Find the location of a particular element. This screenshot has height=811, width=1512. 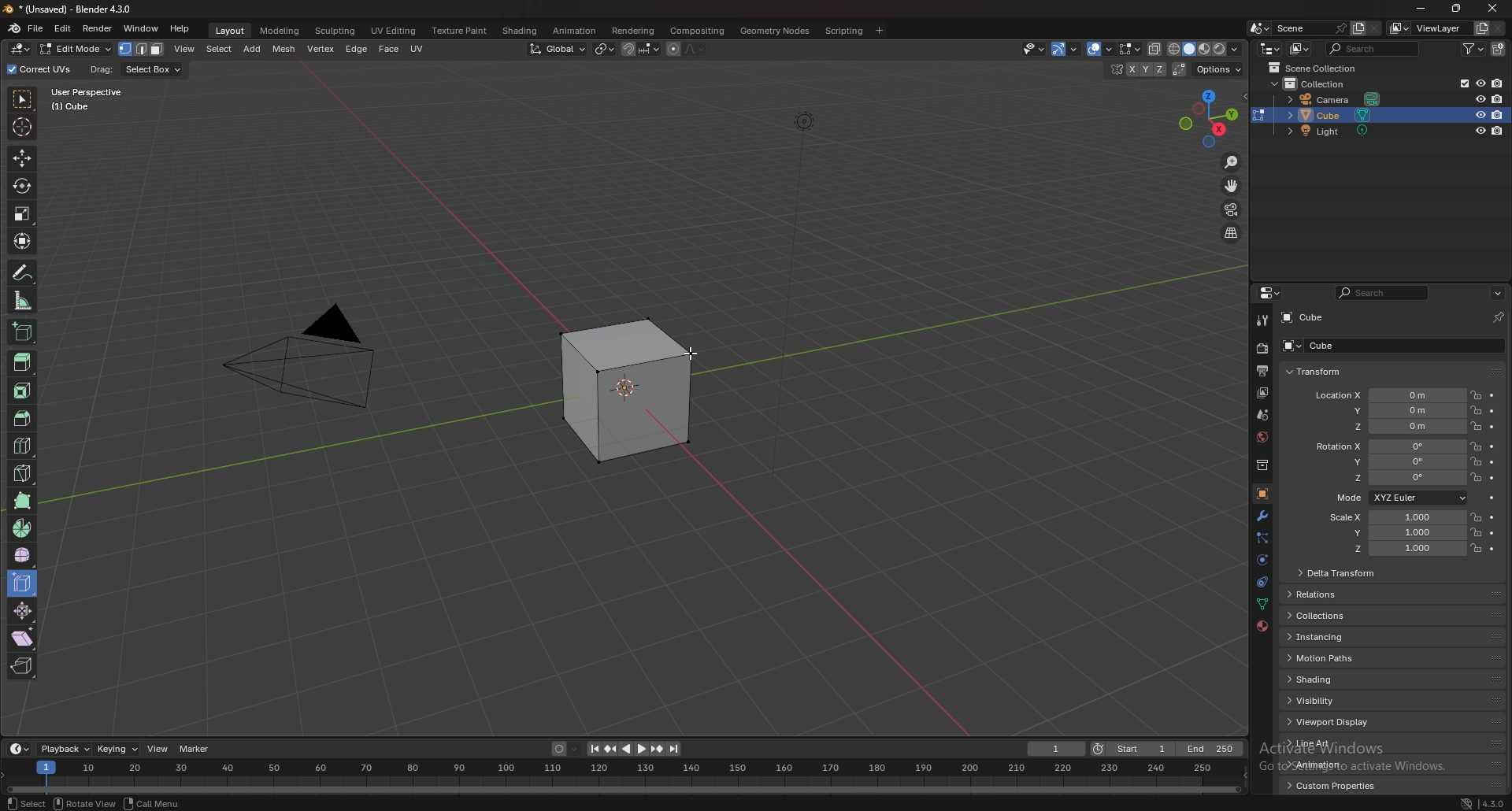

animate property is located at coordinates (1492, 462).